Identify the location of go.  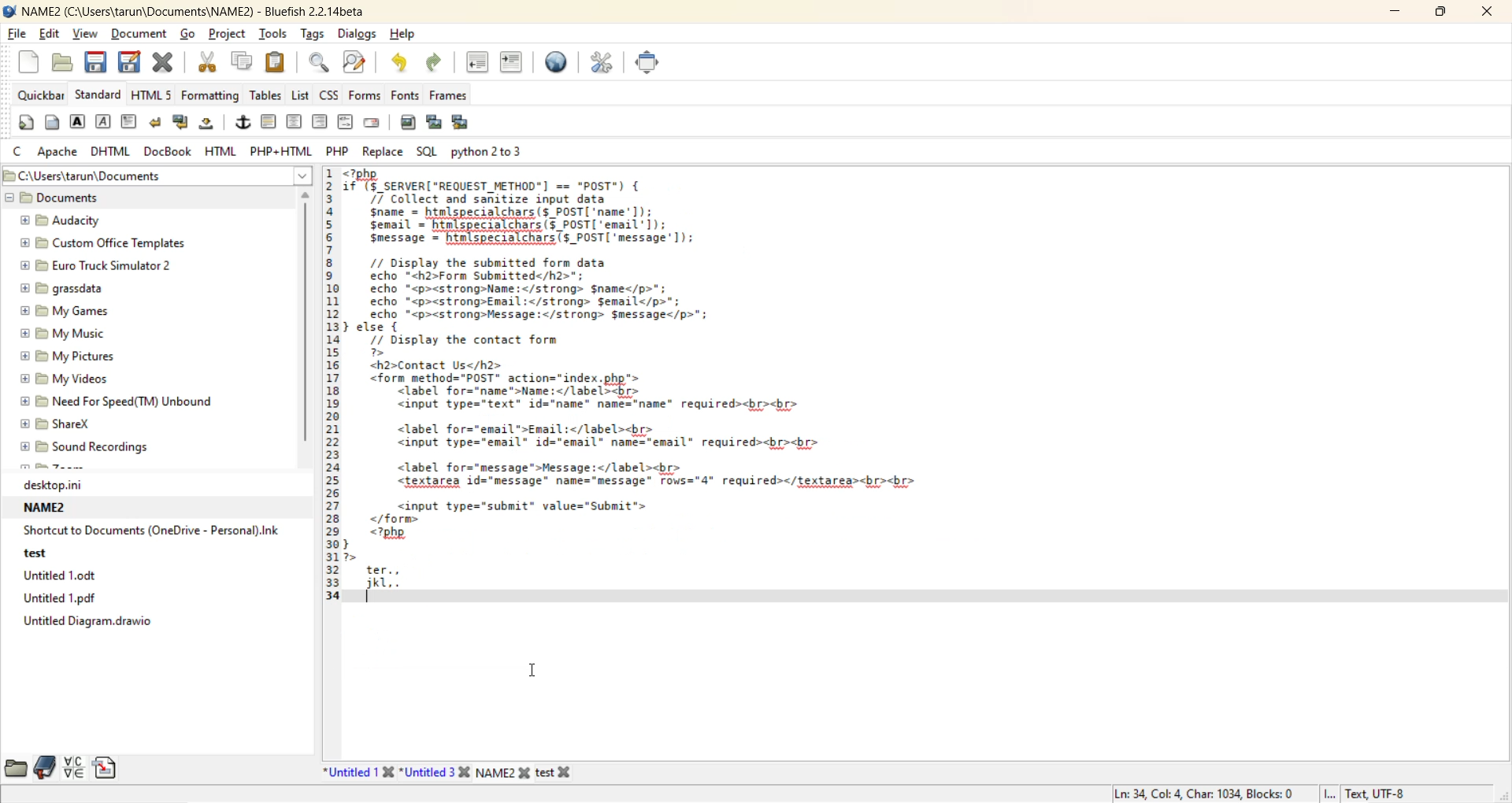
(191, 35).